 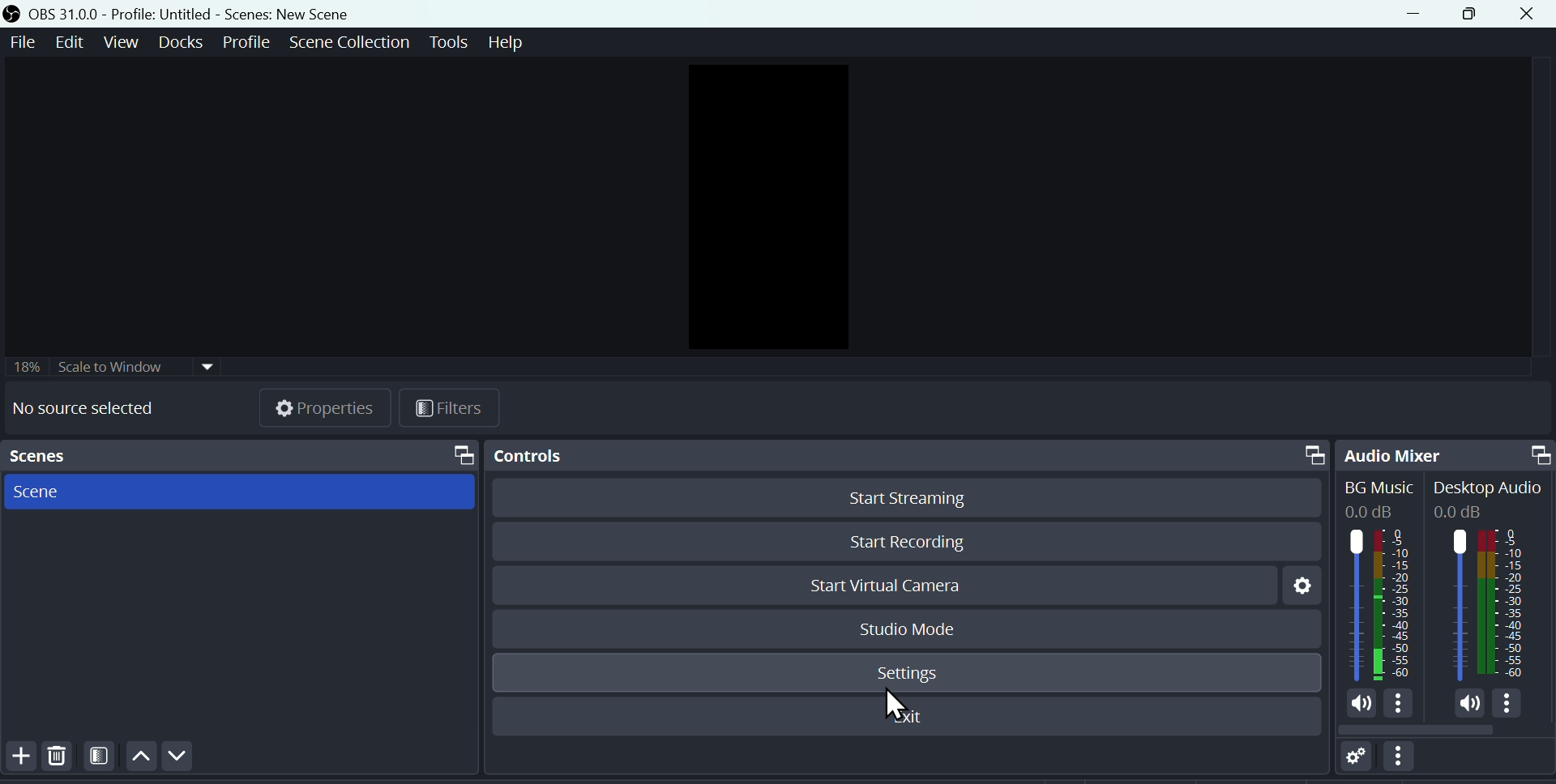 I want to click on Filtres, so click(x=453, y=409).